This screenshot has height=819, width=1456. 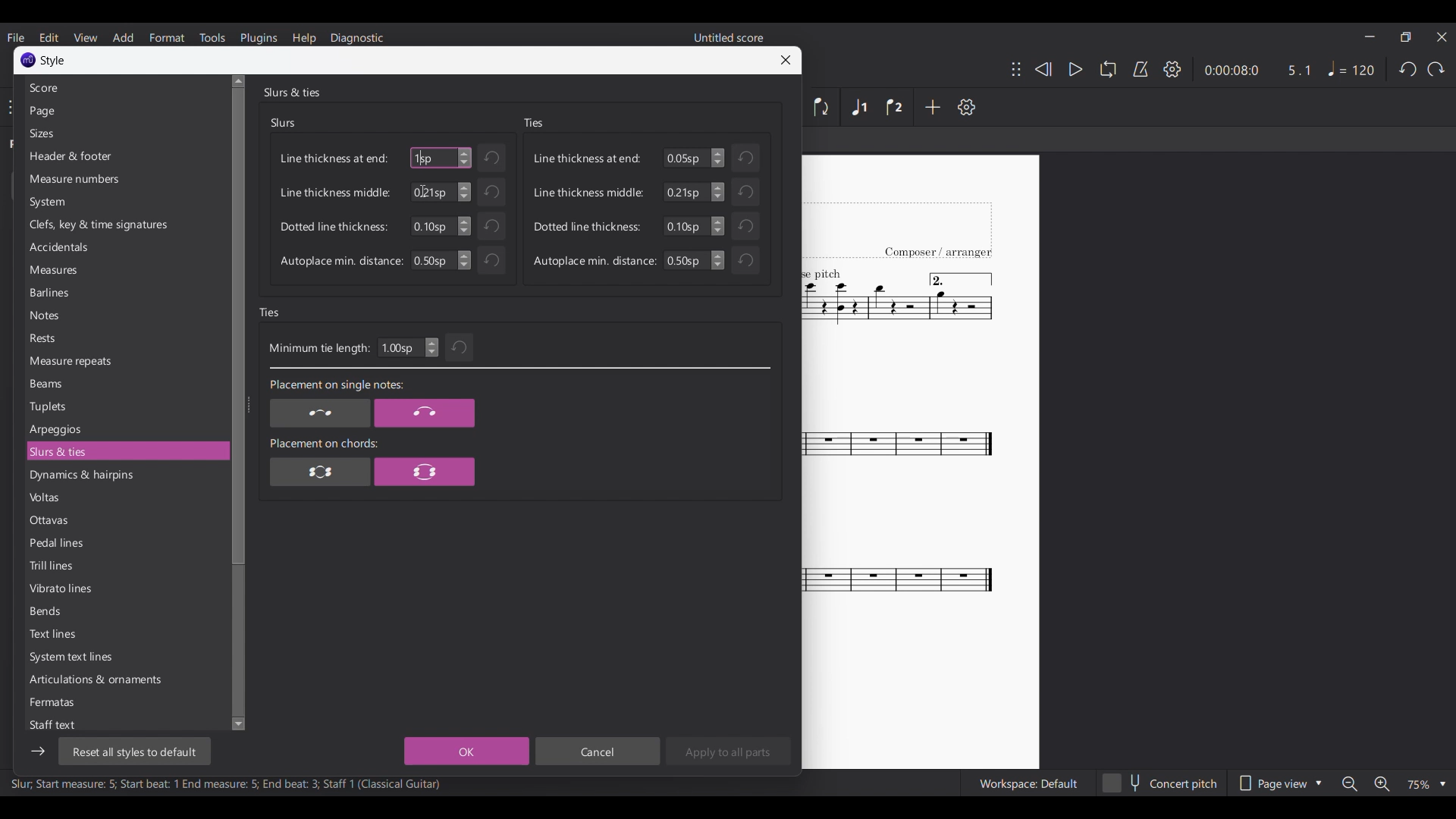 I want to click on Workspace: Default, so click(x=1028, y=783).